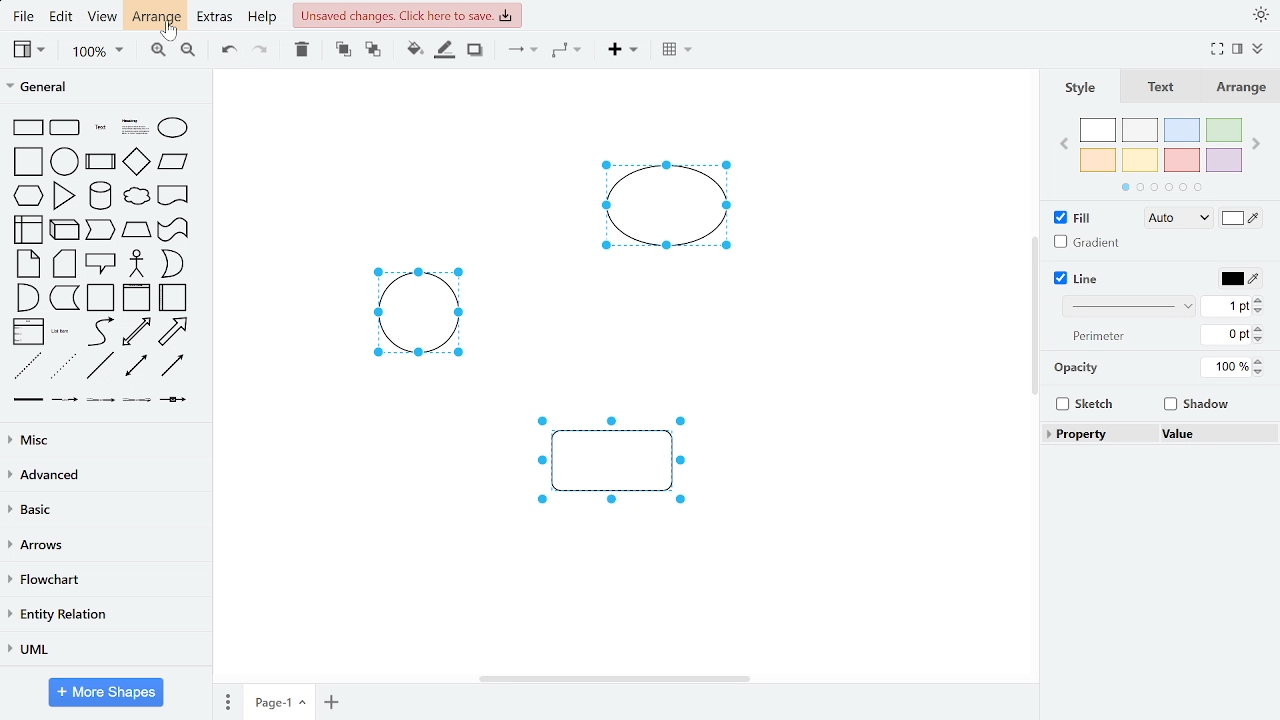 The width and height of the screenshot is (1280, 720). What do you see at coordinates (1258, 15) in the screenshot?
I see `appearance` at bounding box center [1258, 15].